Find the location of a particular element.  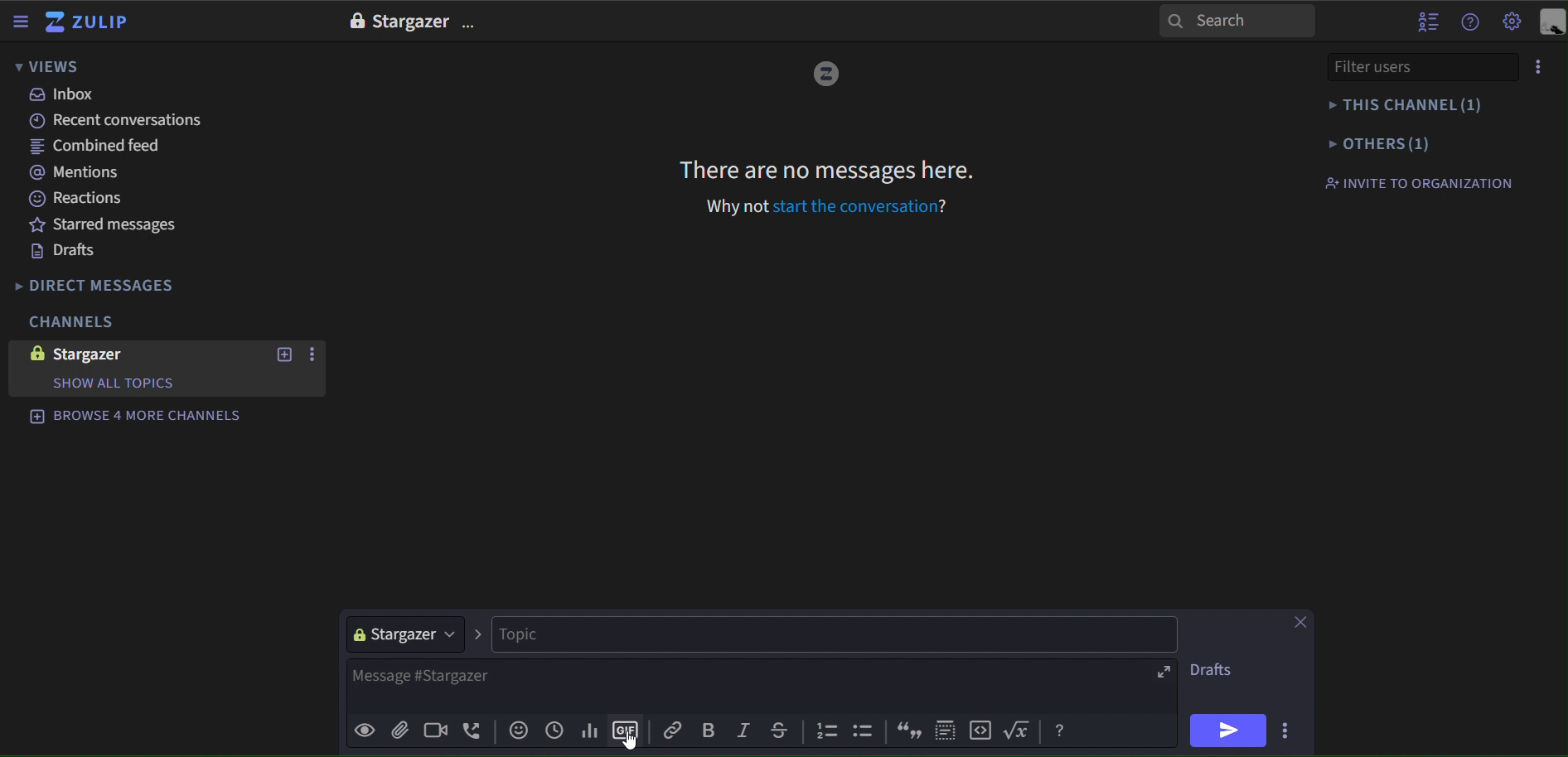

get help is located at coordinates (1471, 22).